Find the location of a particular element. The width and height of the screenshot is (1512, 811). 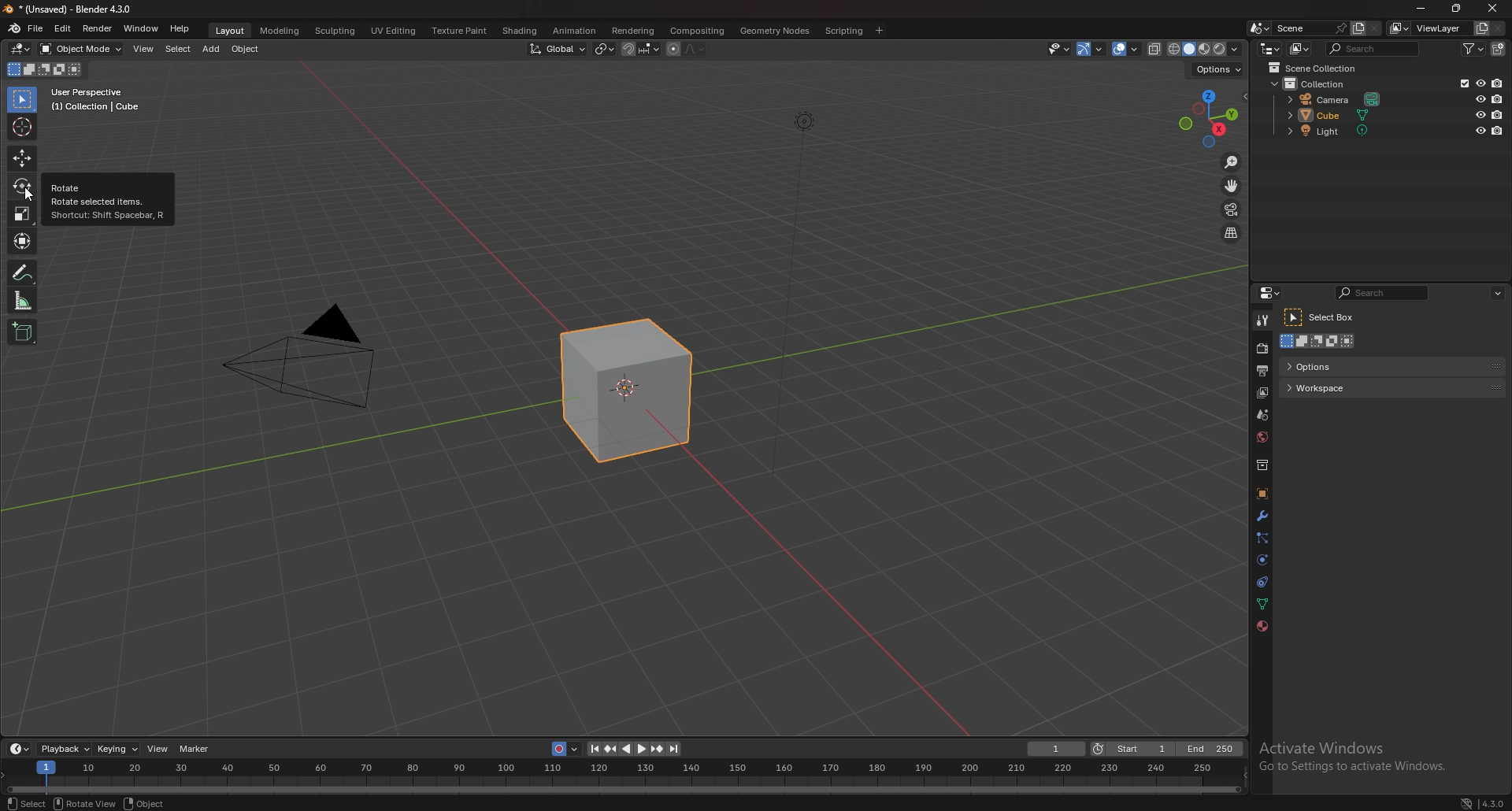

disable in render is located at coordinates (1497, 98).